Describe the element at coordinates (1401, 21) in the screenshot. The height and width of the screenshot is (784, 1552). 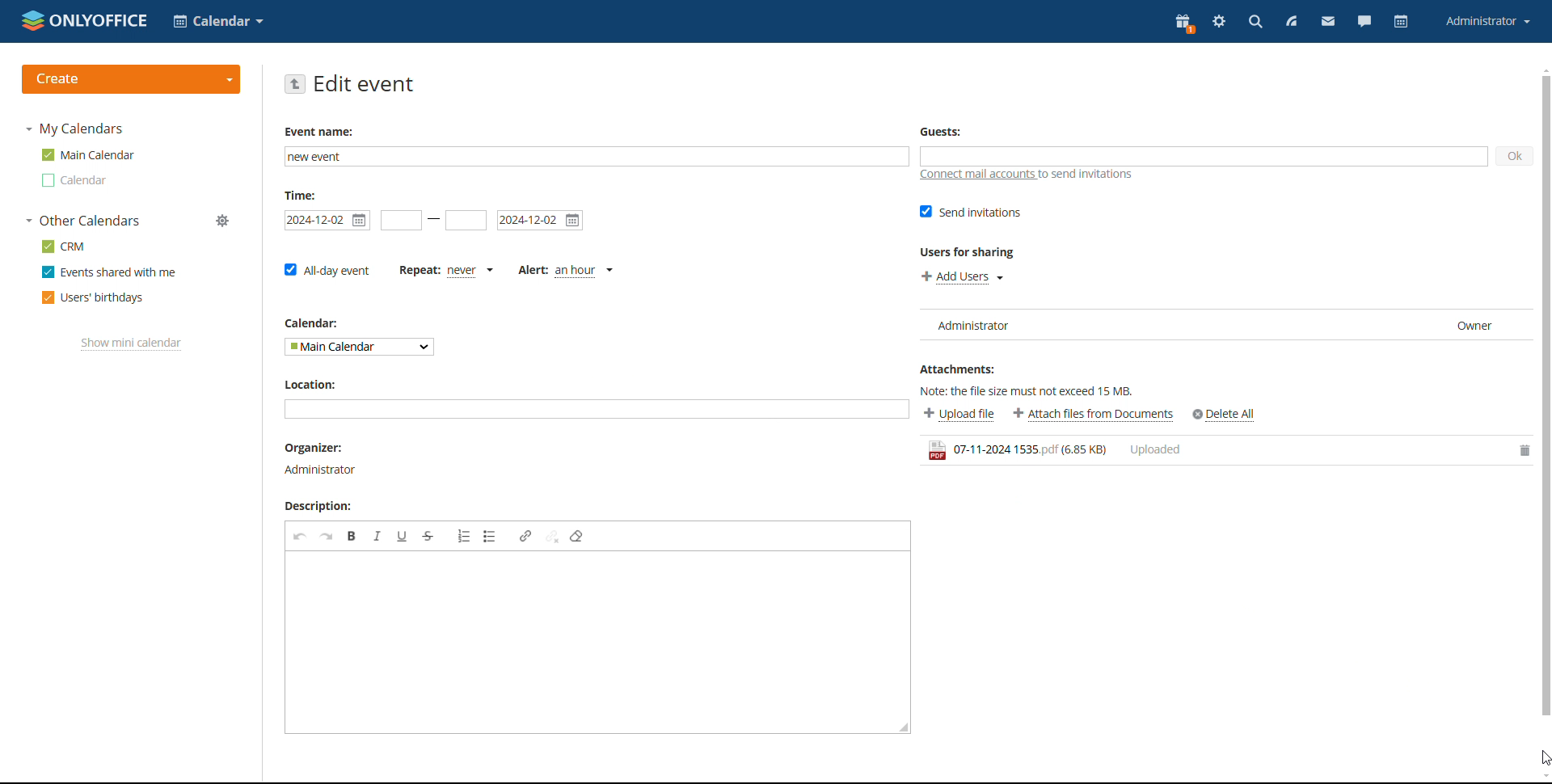
I see `calendar` at that location.